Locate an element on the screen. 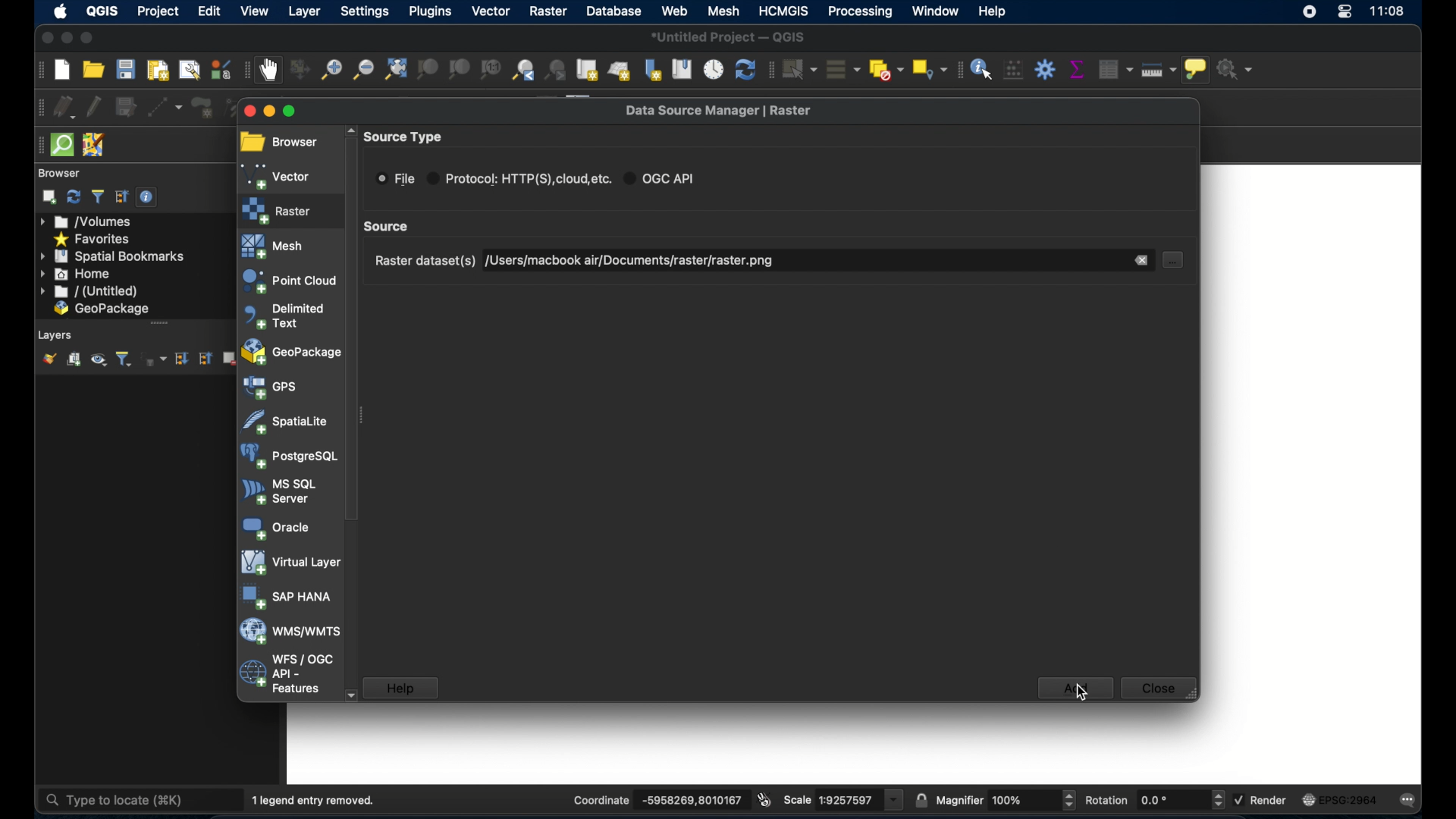 Image resolution: width=1456 pixels, height=819 pixels. virtual layer is located at coordinates (290, 561).